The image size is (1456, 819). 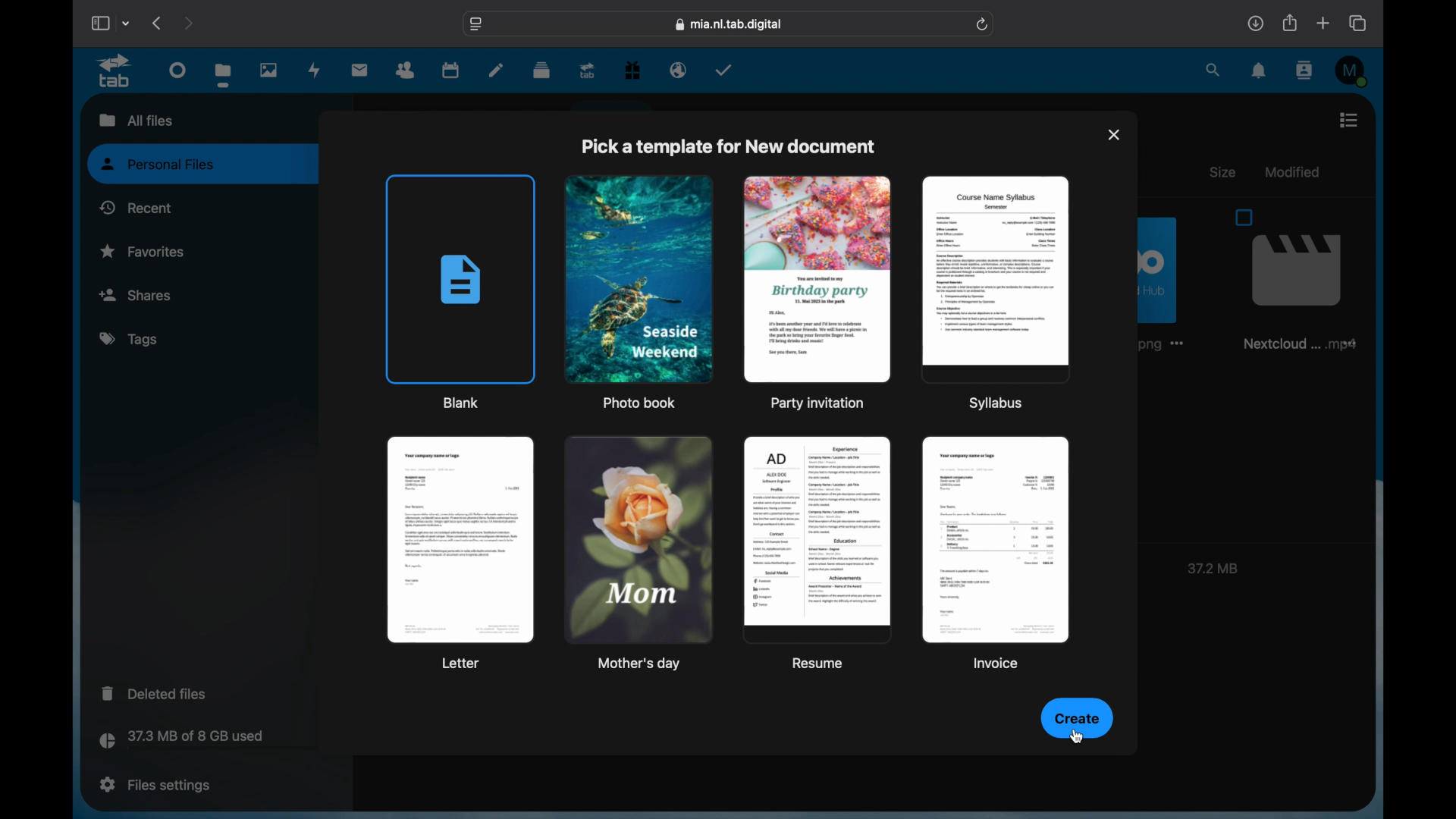 What do you see at coordinates (818, 553) in the screenshot?
I see `resume` at bounding box center [818, 553].